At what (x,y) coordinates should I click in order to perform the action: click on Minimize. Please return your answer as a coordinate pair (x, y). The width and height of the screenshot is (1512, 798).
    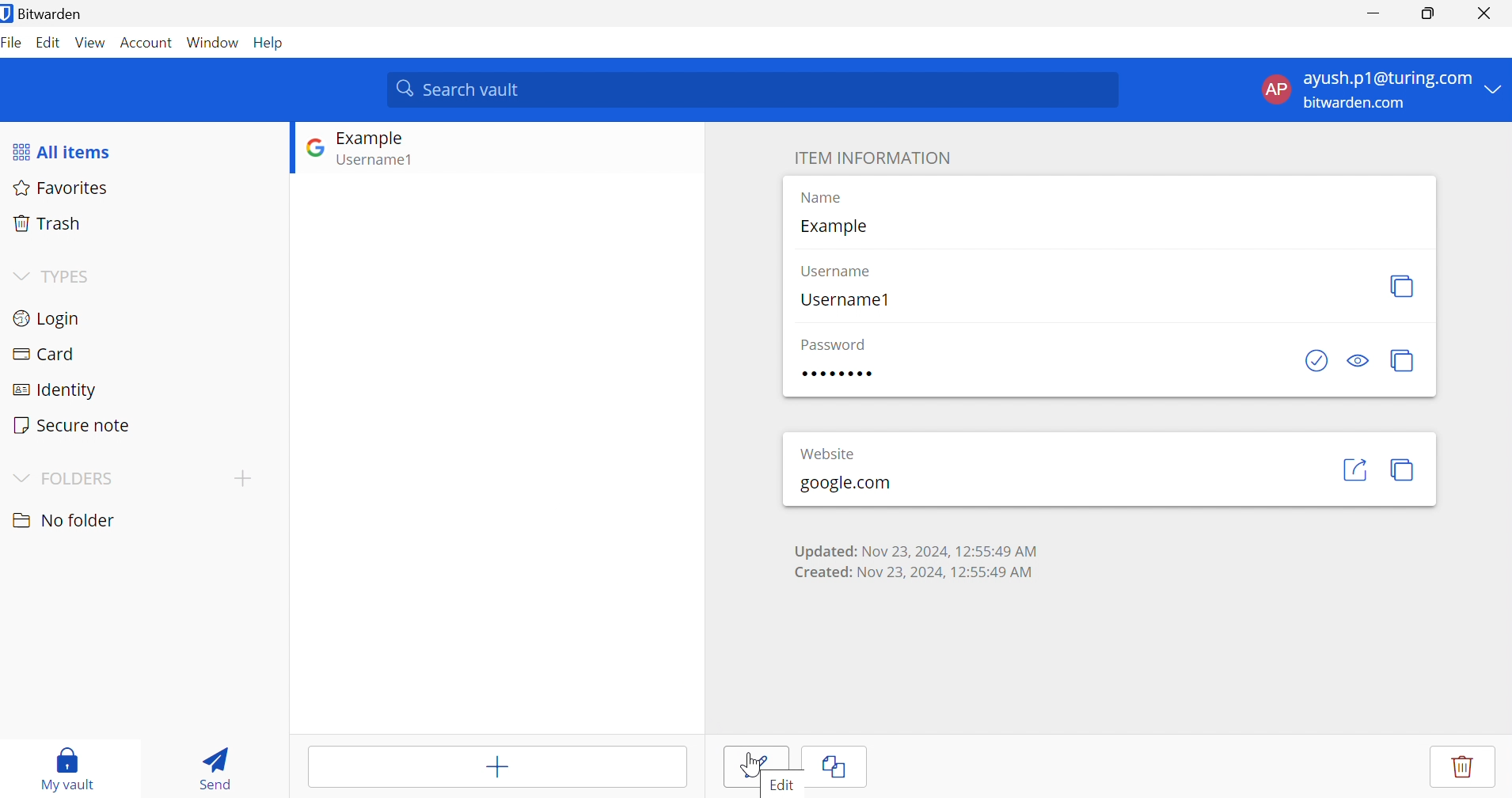
    Looking at the image, I should click on (1370, 13).